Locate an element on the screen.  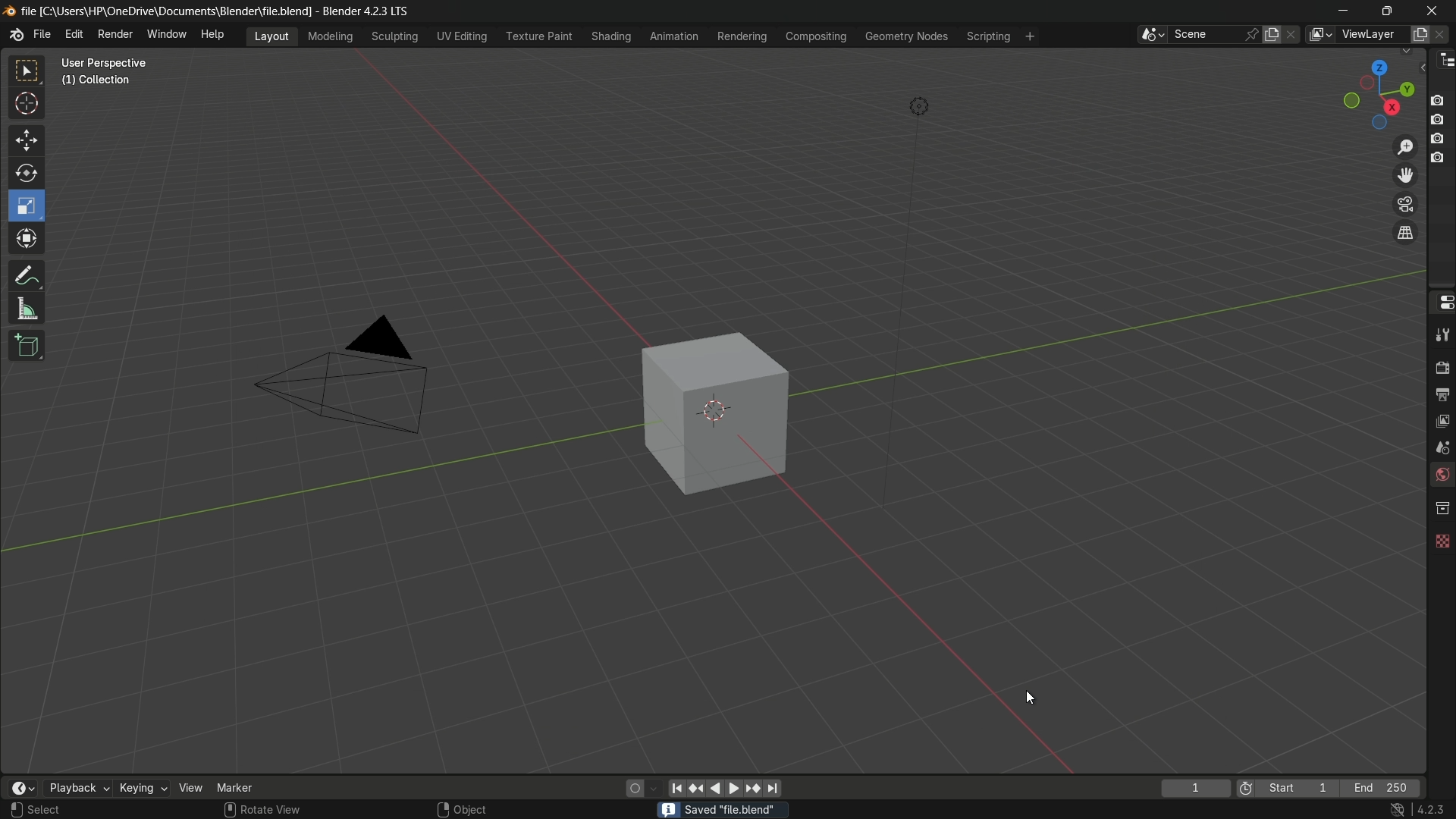
auto keyframe is located at coordinates (654, 788).